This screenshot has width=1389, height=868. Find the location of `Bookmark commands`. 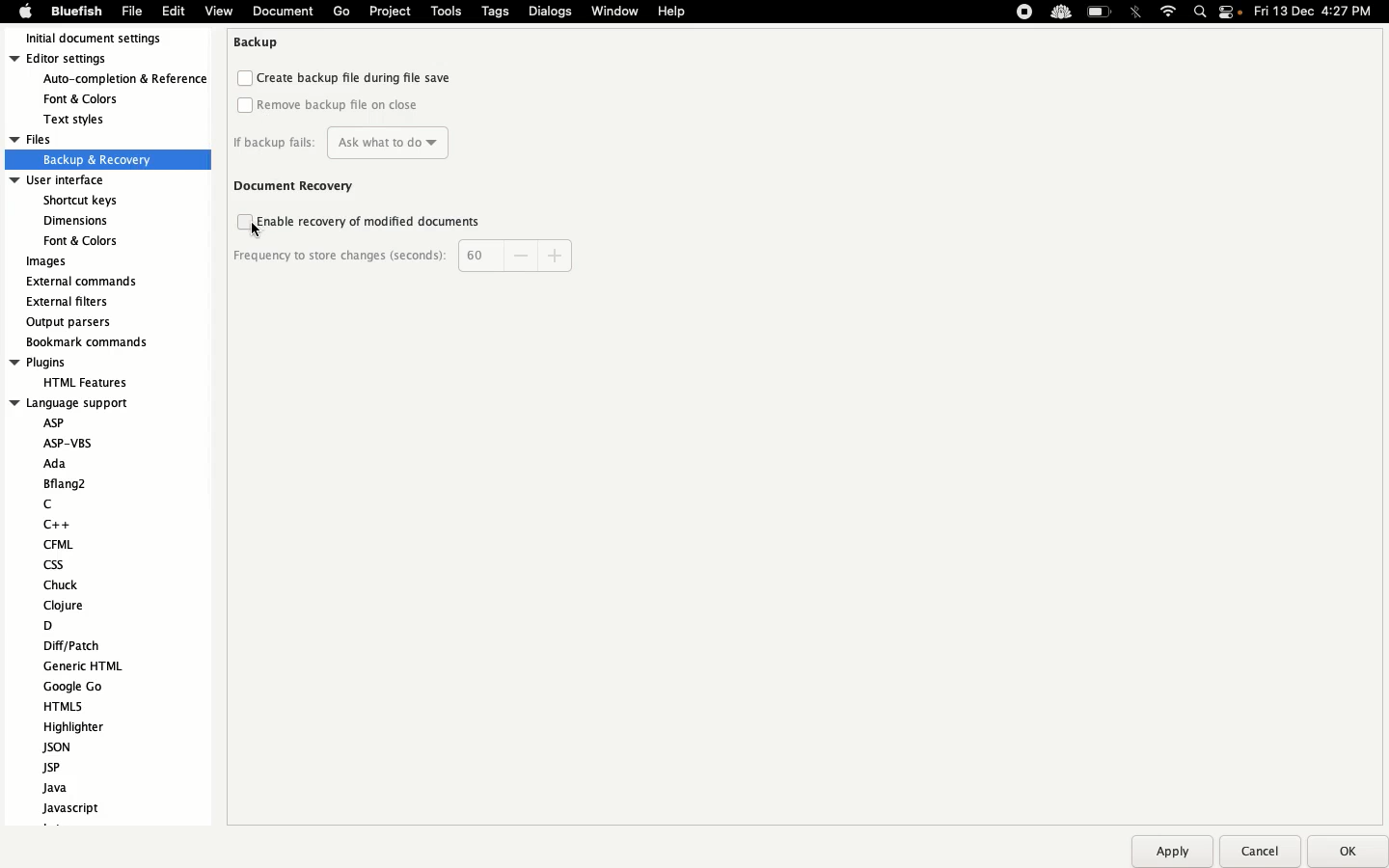

Bookmark commands is located at coordinates (104, 343).